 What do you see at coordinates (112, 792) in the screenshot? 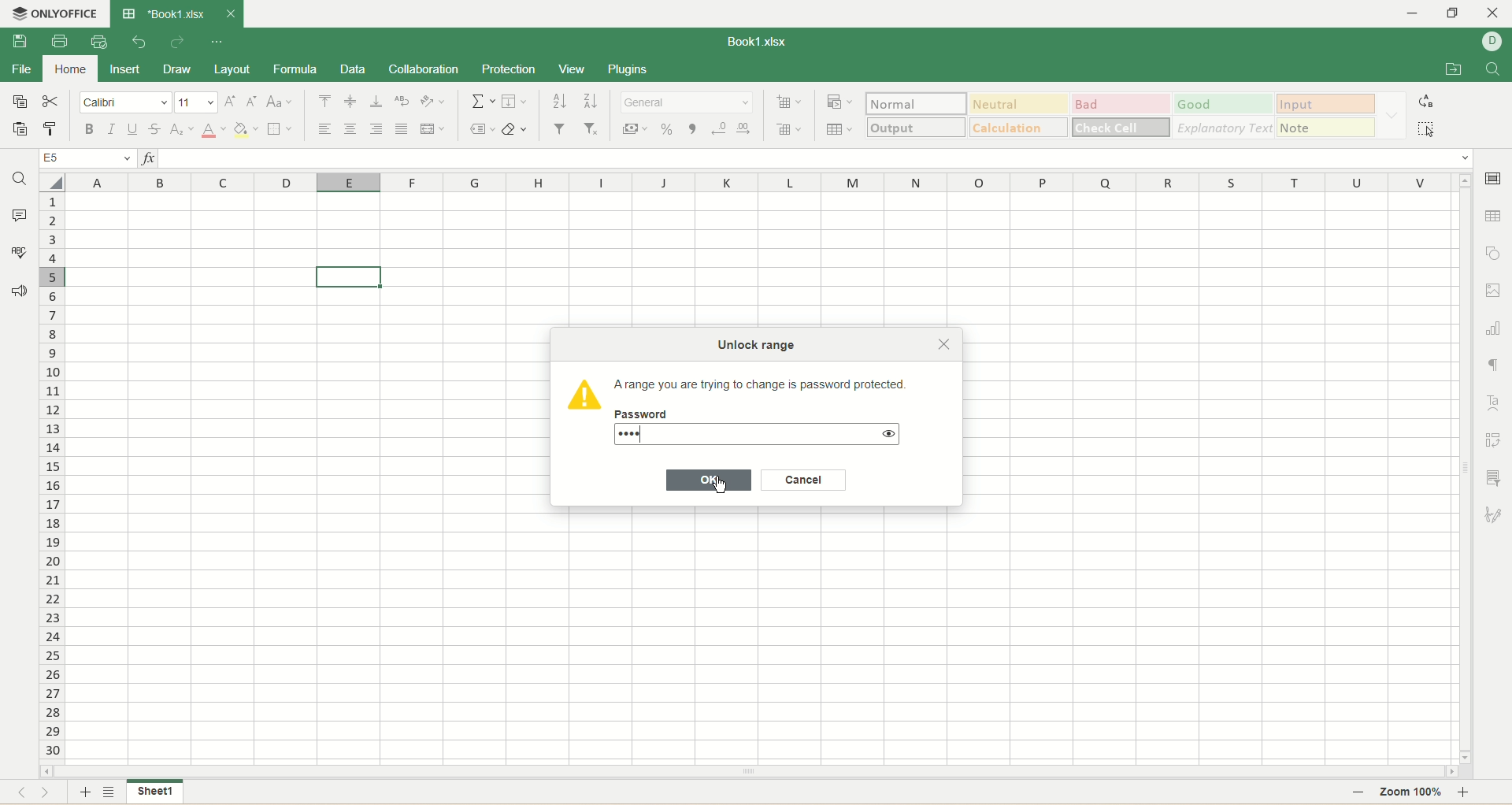
I see `sheet list` at bounding box center [112, 792].